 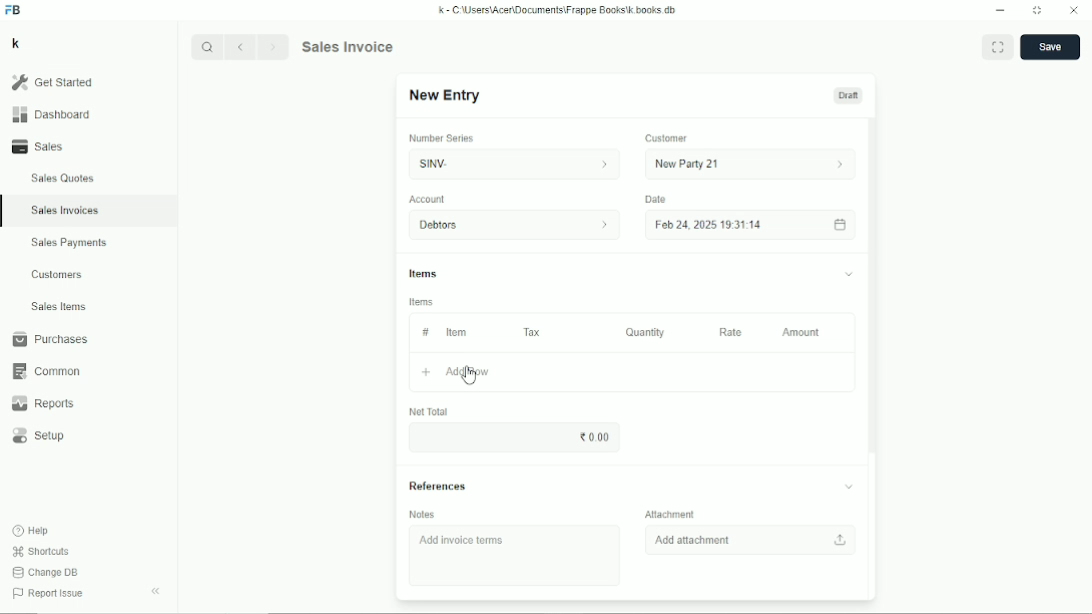 What do you see at coordinates (468, 374) in the screenshot?
I see `Cursor` at bounding box center [468, 374].